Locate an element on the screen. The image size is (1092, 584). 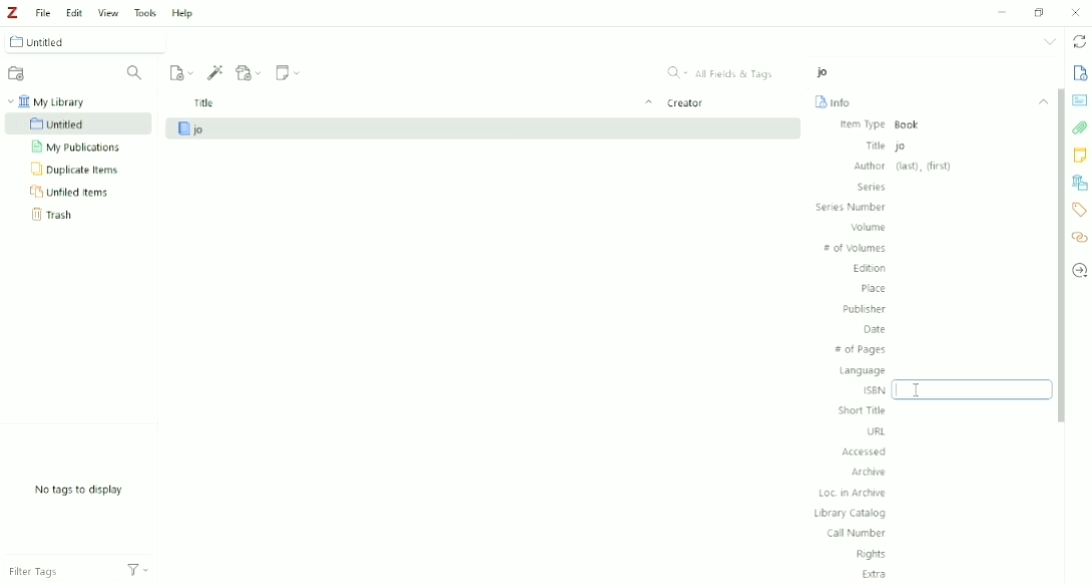
Ceator is located at coordinates (689, 102).